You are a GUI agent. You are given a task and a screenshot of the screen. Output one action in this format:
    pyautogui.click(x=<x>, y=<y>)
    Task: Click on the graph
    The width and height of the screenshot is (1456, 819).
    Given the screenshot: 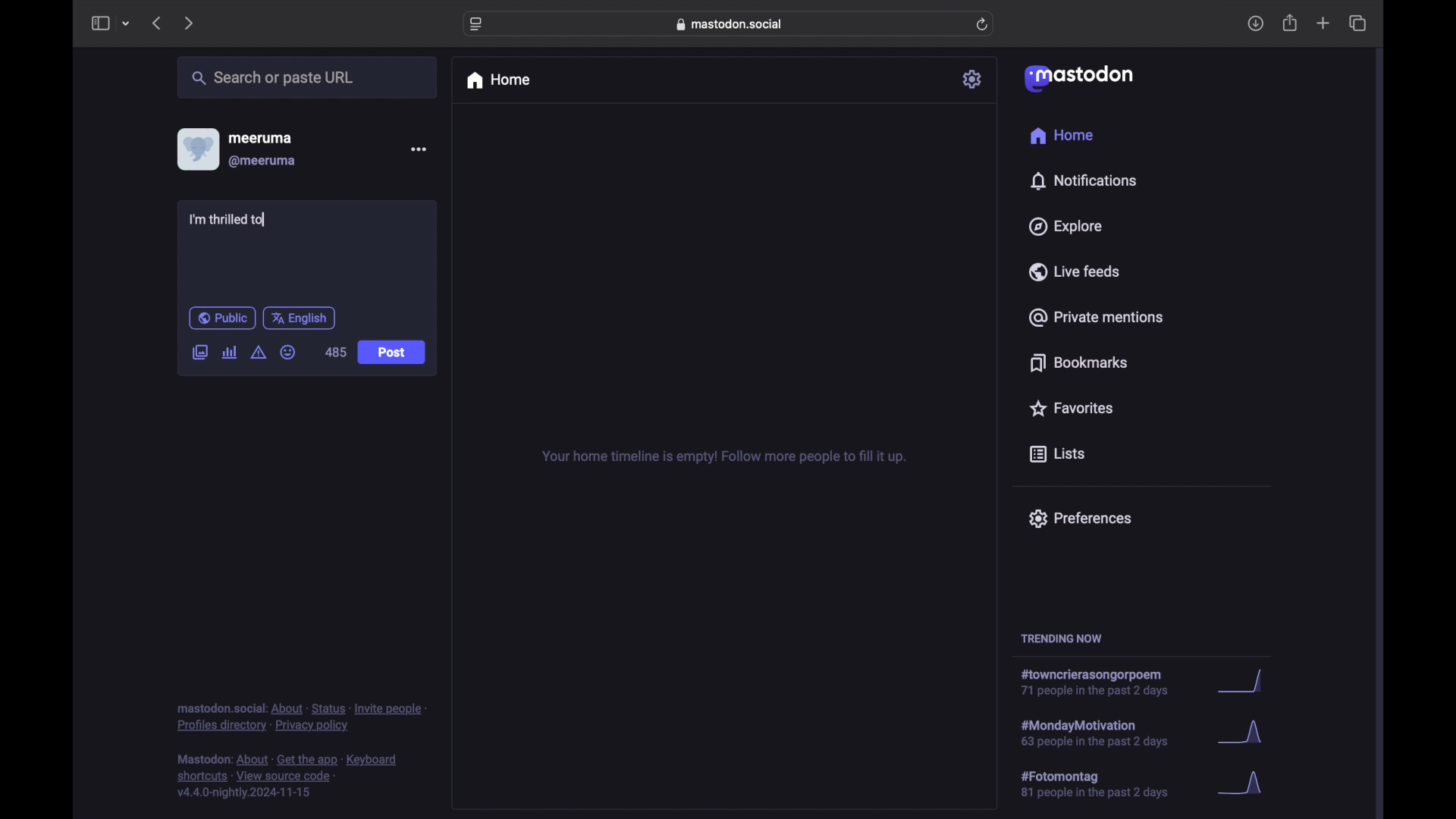 What is the action you would take?
    pyautogui.click(x=1245, y=784)
    